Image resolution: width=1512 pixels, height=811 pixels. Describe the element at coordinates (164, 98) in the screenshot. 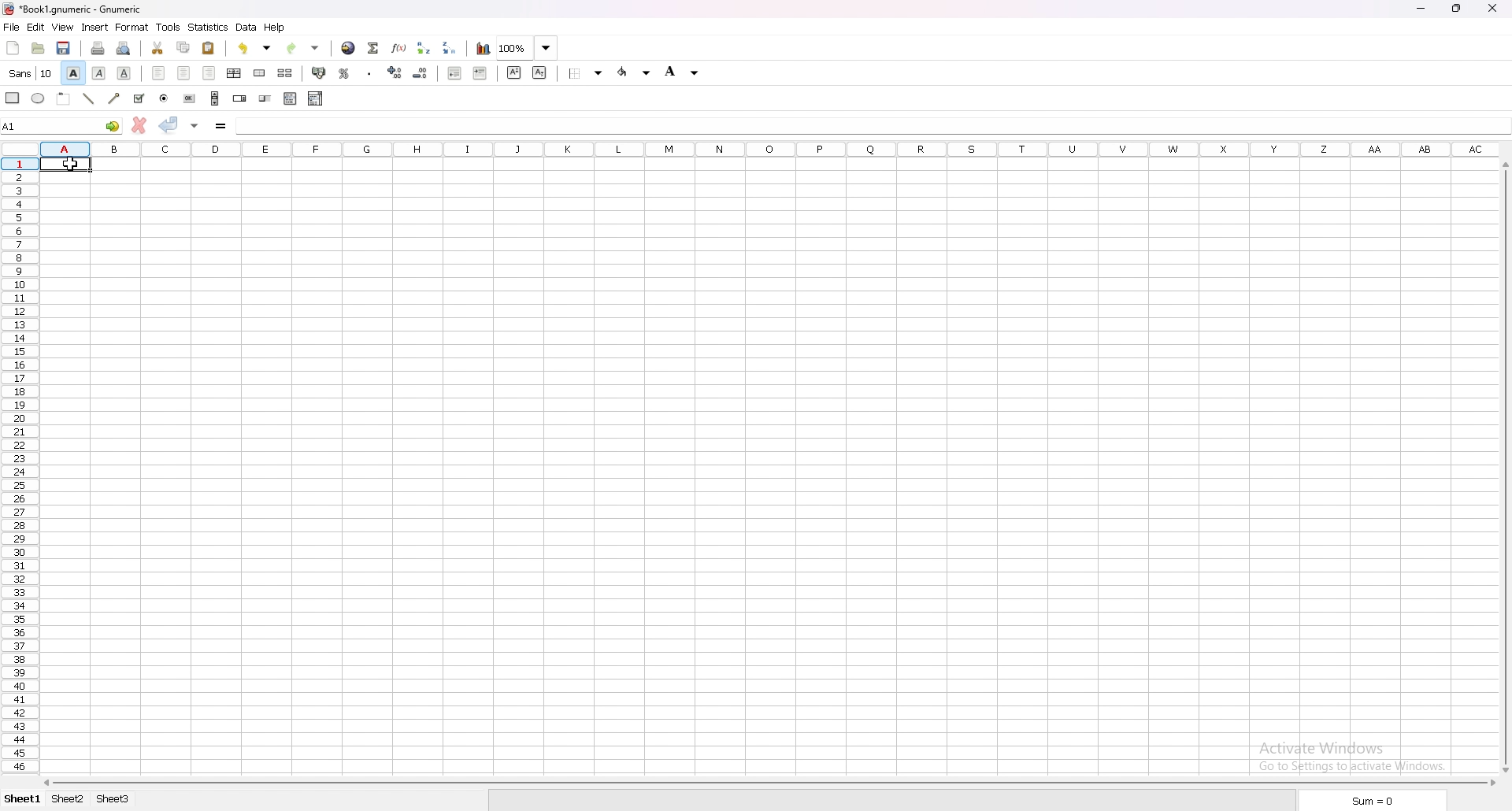

I see `radio button` at that location.